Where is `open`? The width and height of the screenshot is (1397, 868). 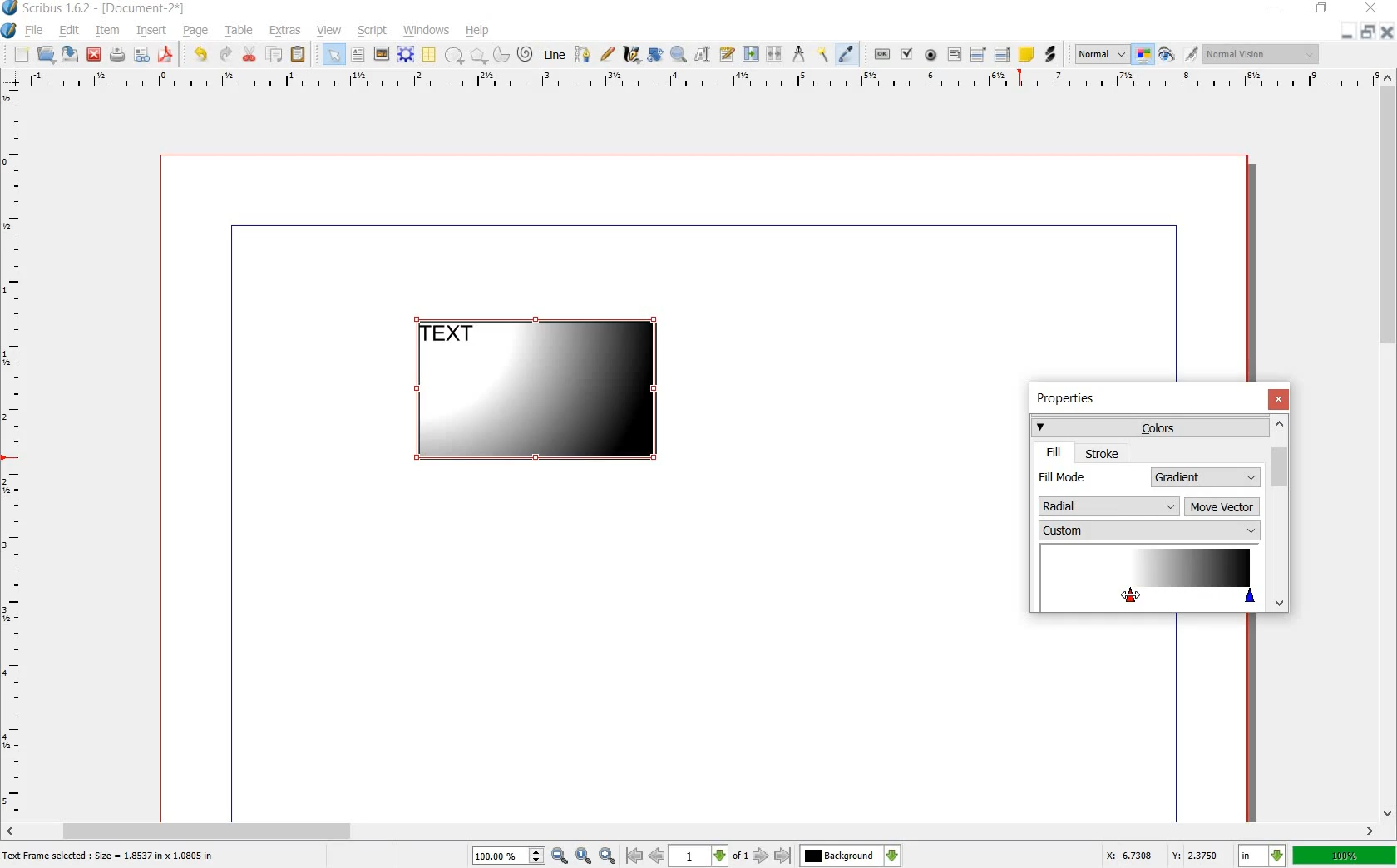
open is located at coordinates (48, 55).